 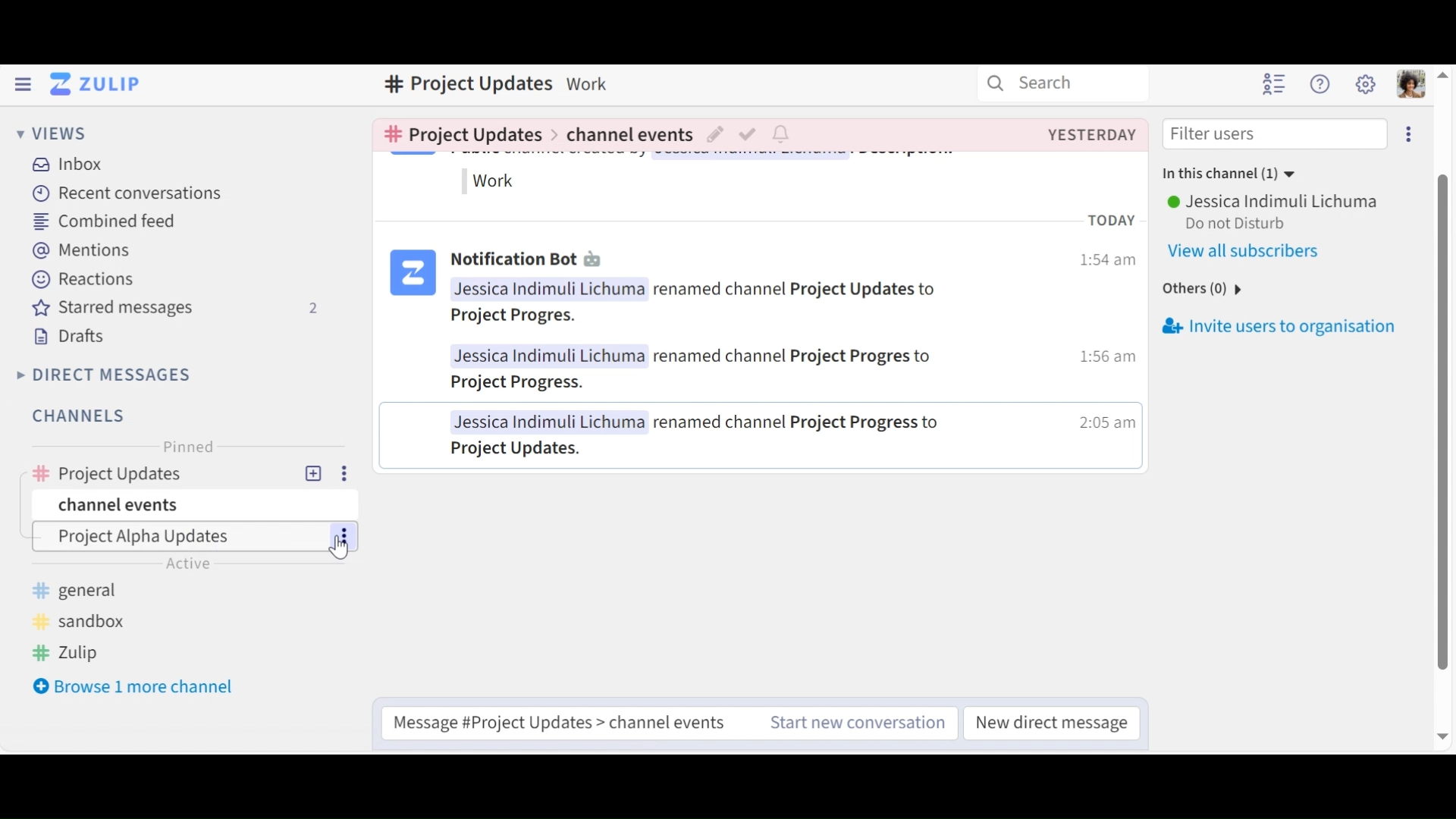 I want to click on others(0), so click(x=1197, y=290).